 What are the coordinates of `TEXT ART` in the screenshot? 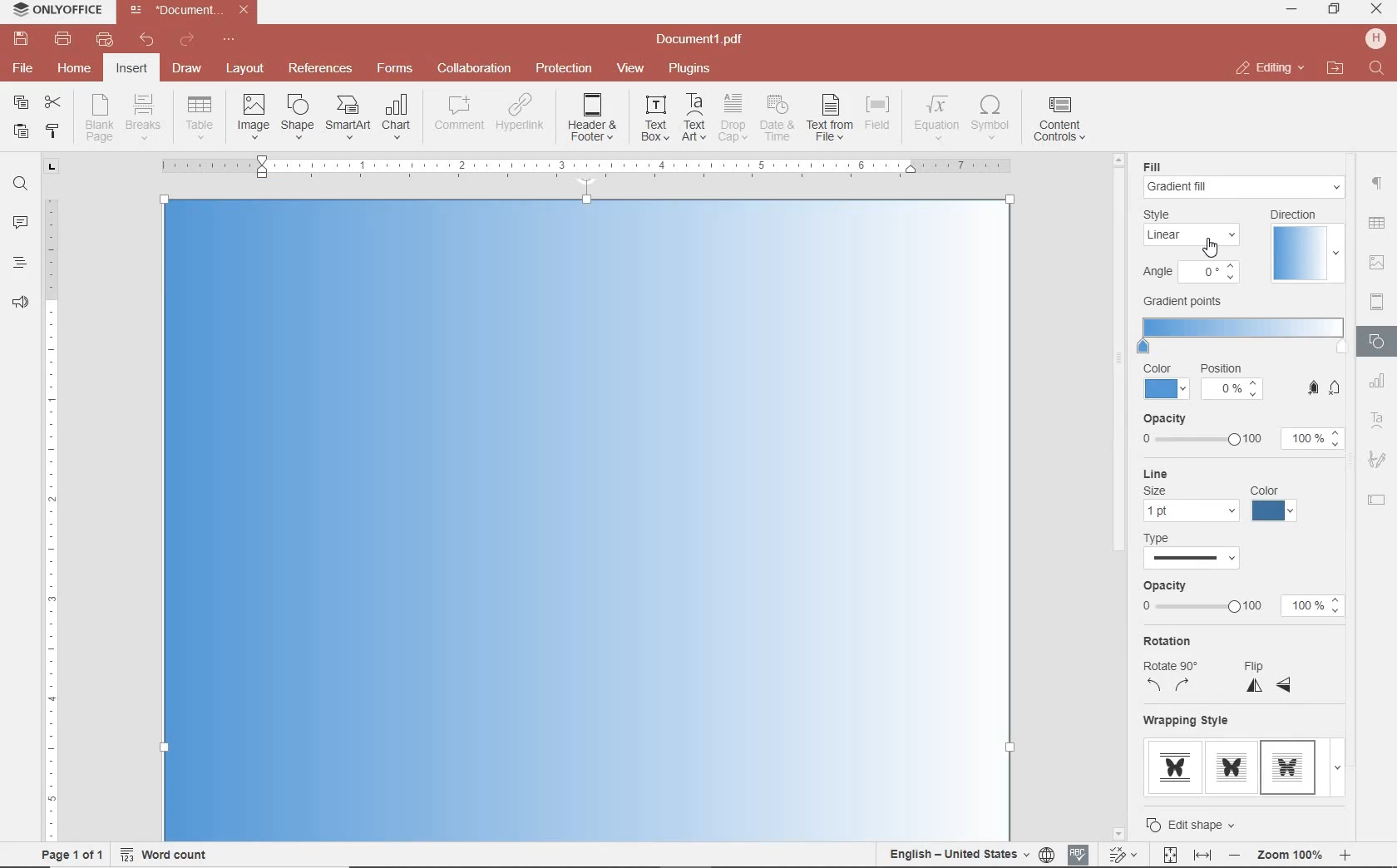 It's located at (1378, 422).